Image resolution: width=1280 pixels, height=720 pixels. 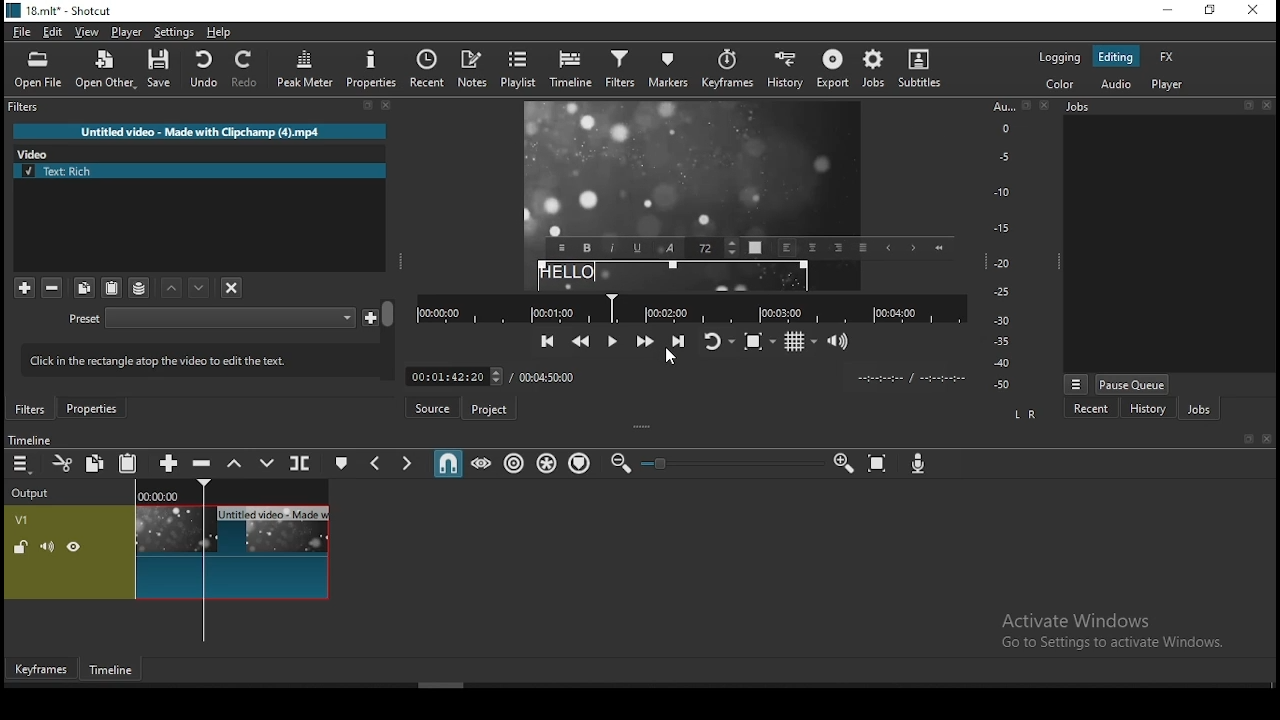 I want to click on move filter down, so click(x=173, y=288).